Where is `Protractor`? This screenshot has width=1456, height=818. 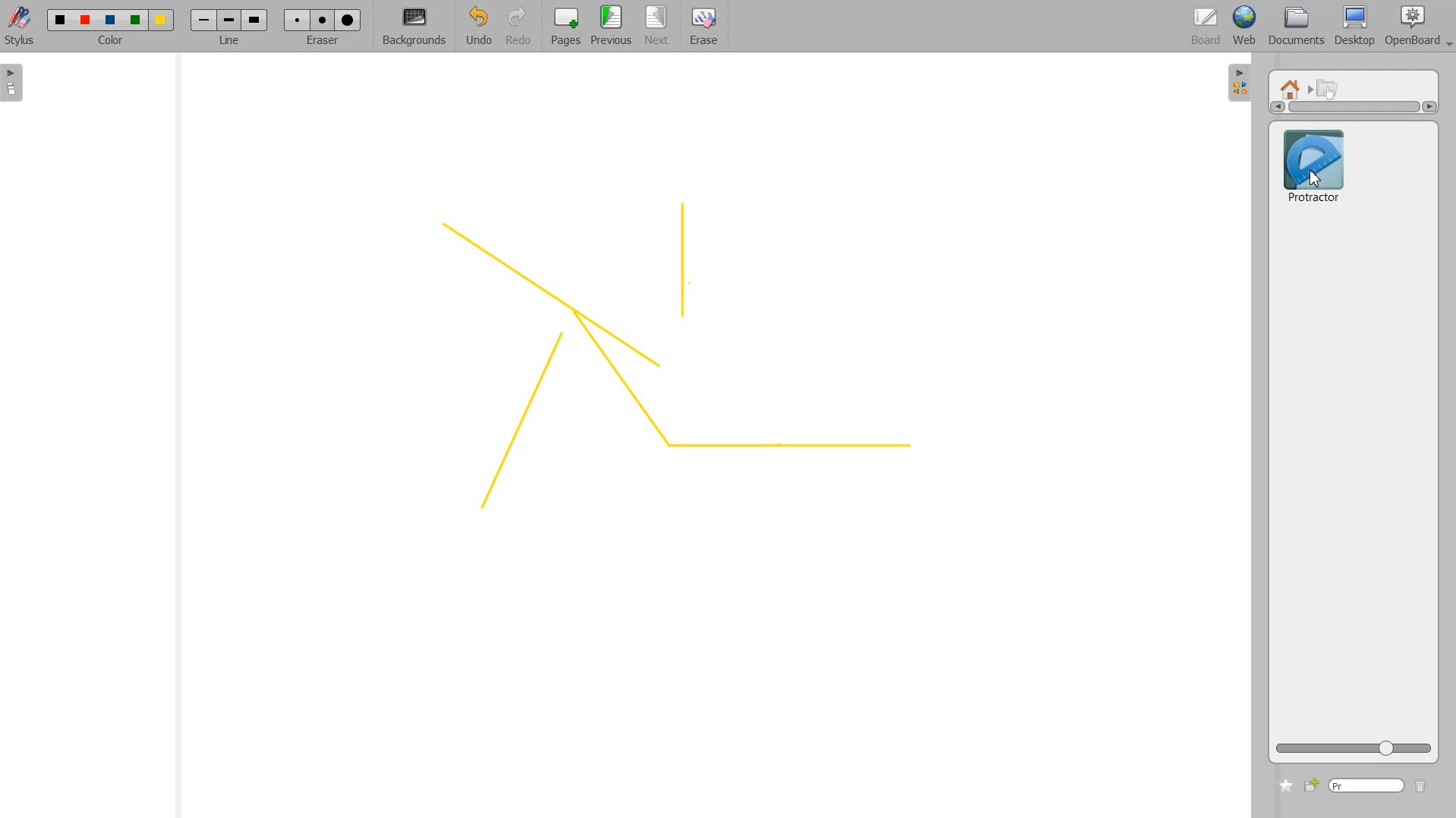 Protractor is located at coordinates (1313, 164).